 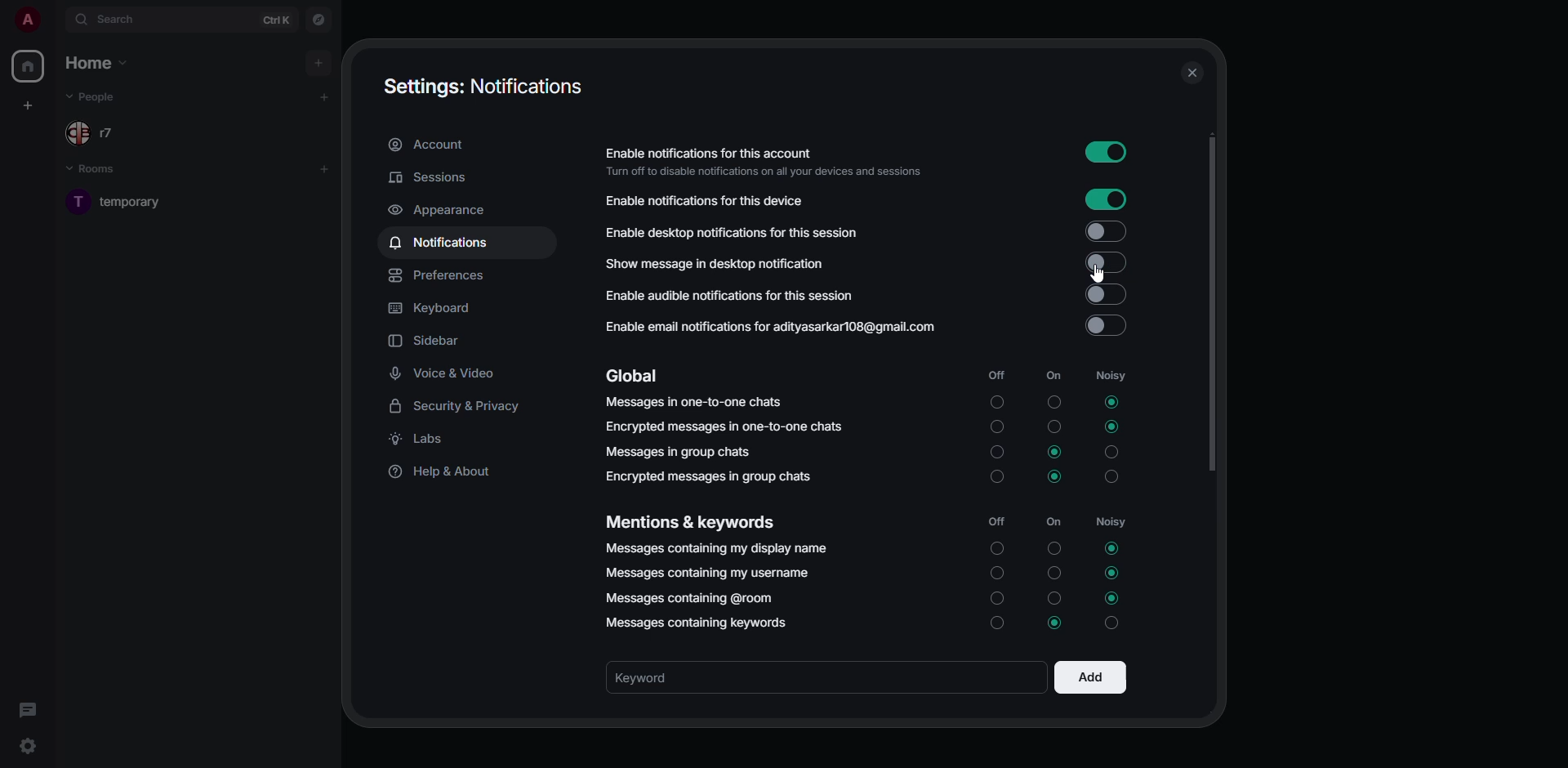 What do you see at coordinates (1116, 623) in the screenshot?
I see `Noisy Unselected` at bounding box center [1116, 623].